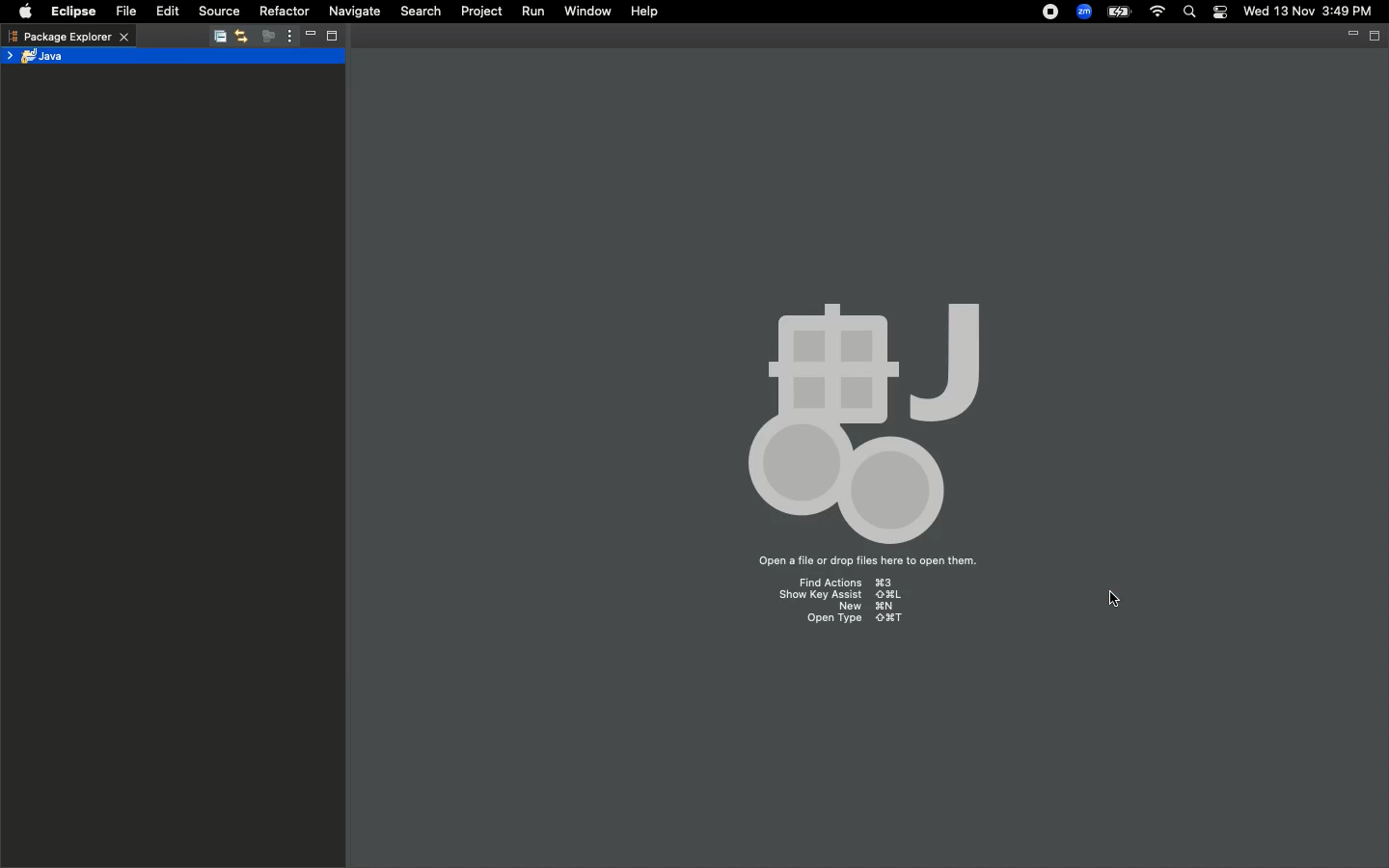  What do you see at coordinates (127, 12) in the screenshot?
I see `File` at bounding box center [127, 12].